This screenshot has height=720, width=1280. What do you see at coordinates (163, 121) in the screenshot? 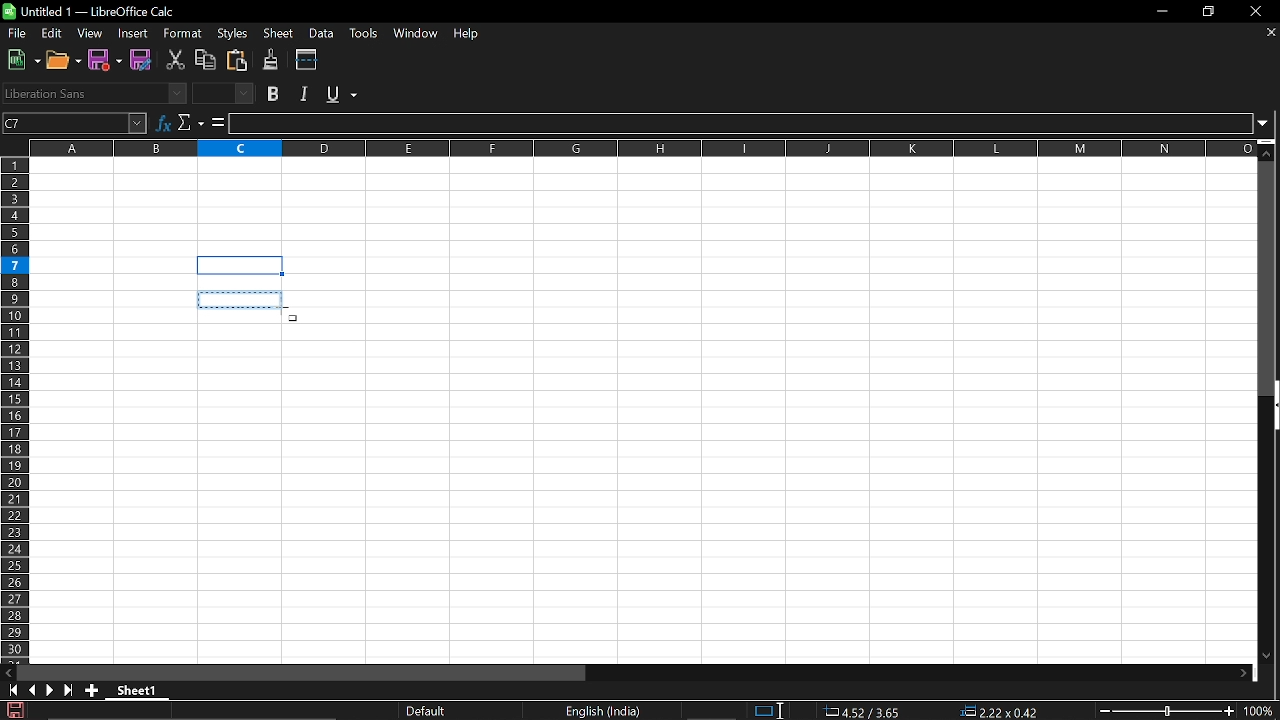
I see `Formula wizard` at bounding box center [163, 121].